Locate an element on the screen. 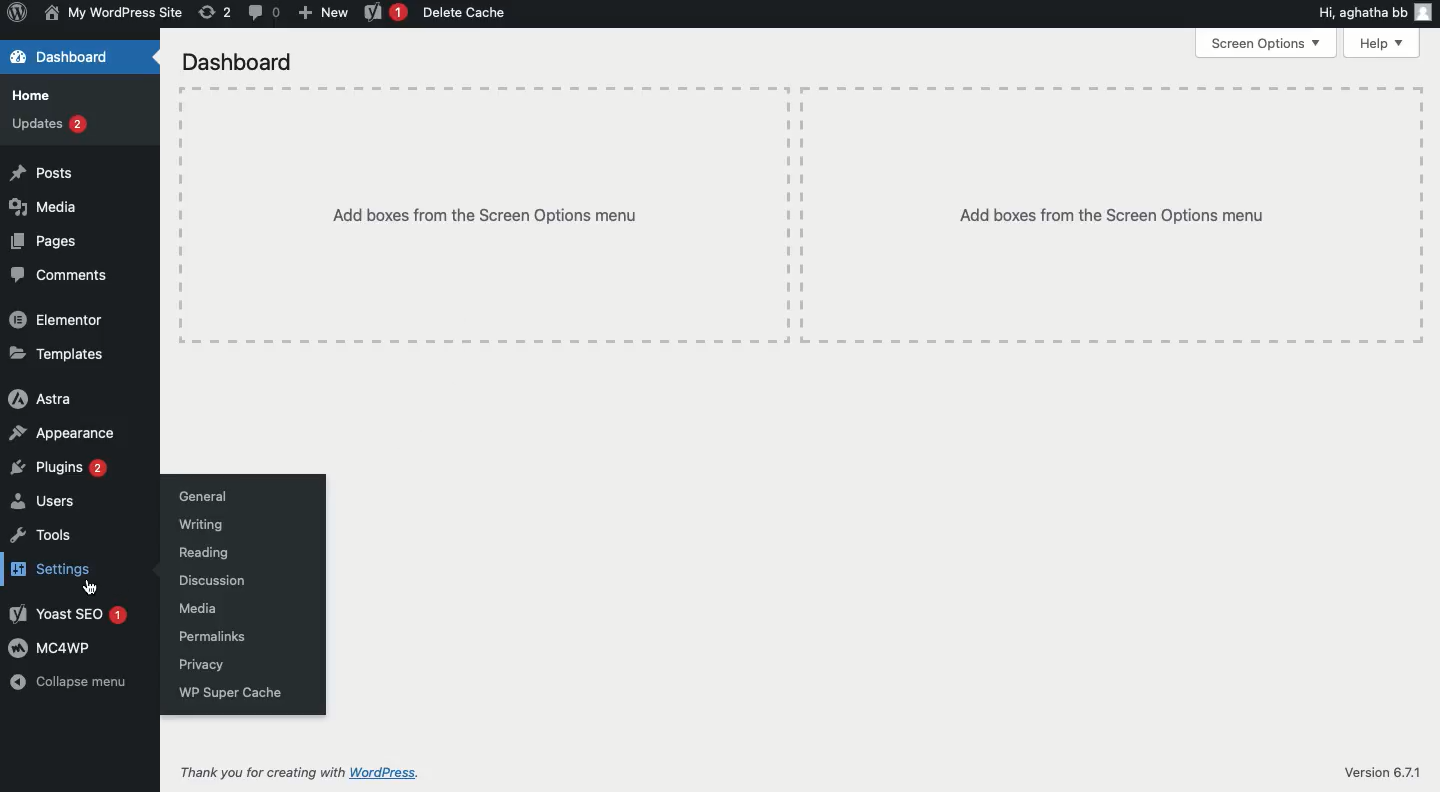 The height and width of the screenshot is (792, 1440). Comment (0) is located at coordinates (263, 11).